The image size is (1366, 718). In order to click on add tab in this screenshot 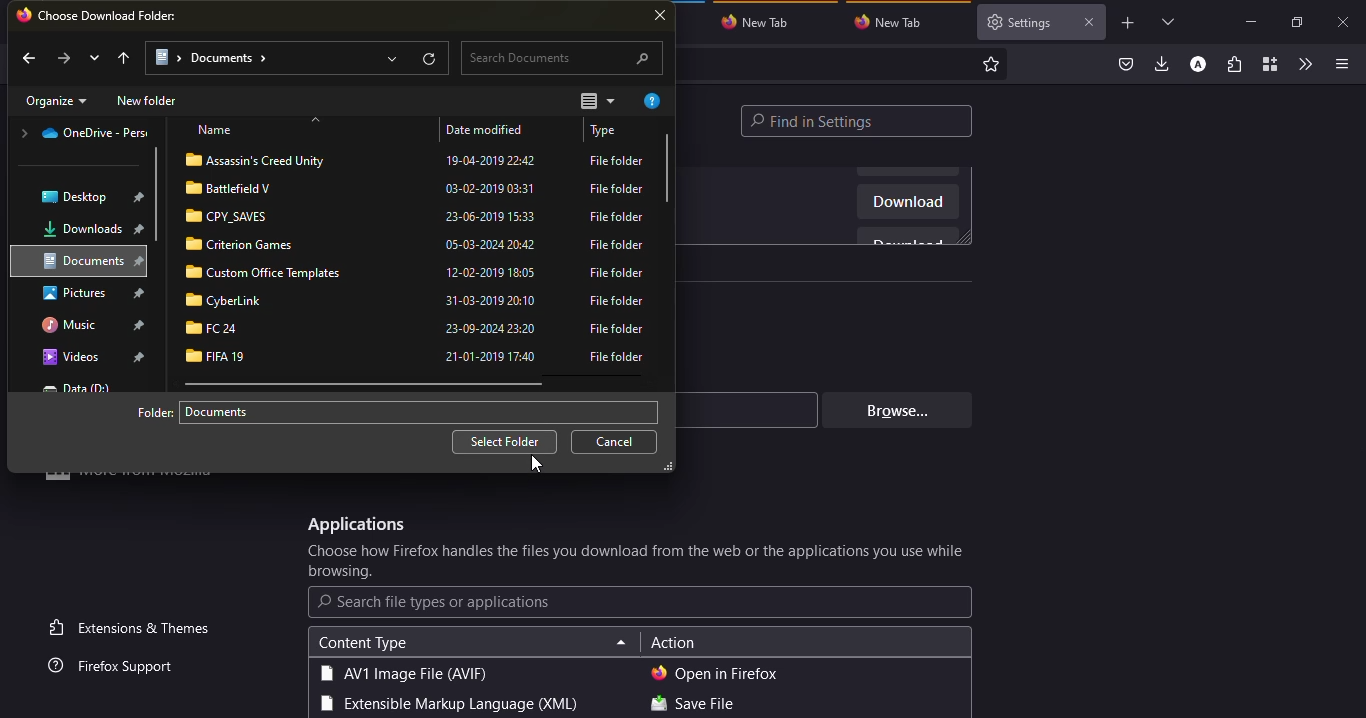, I will do `click(1128, 23)`.